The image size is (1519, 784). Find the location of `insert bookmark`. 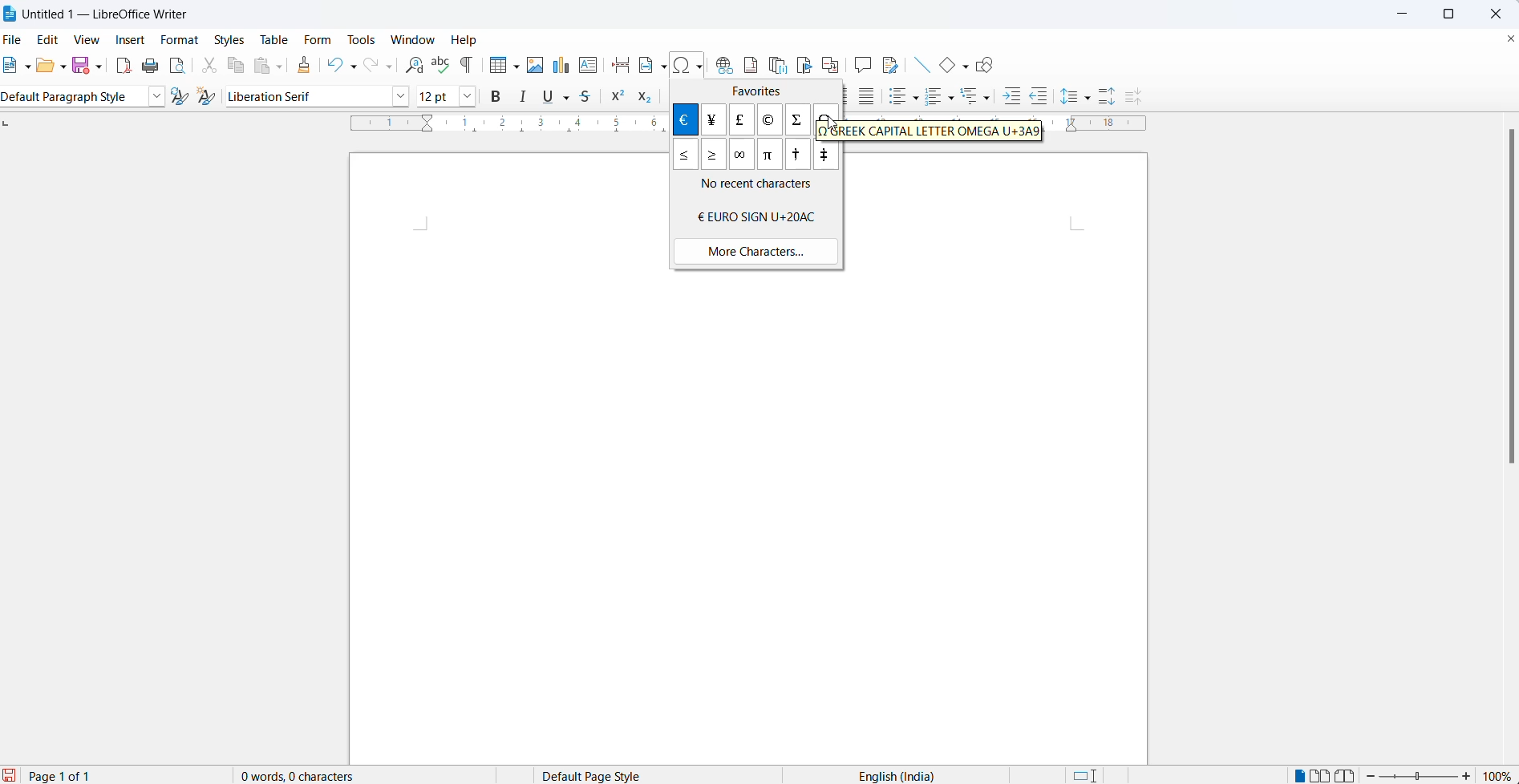

insert bookmark is located at coordinates (805, 63).